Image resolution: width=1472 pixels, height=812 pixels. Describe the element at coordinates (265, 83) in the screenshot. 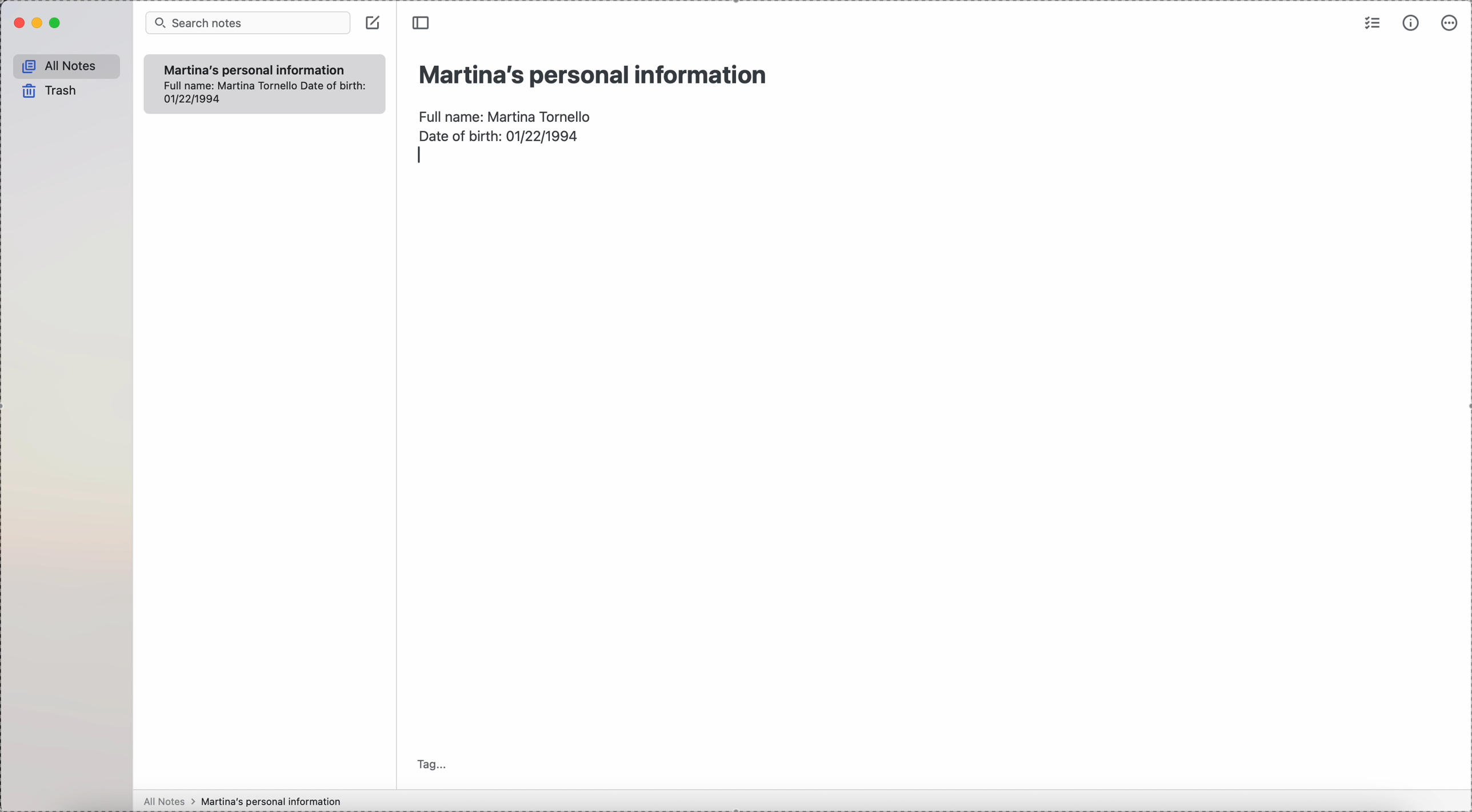

I see `Martina's personal information Full name: Martina Tornello date of birth: 01/22/1994` at that location.